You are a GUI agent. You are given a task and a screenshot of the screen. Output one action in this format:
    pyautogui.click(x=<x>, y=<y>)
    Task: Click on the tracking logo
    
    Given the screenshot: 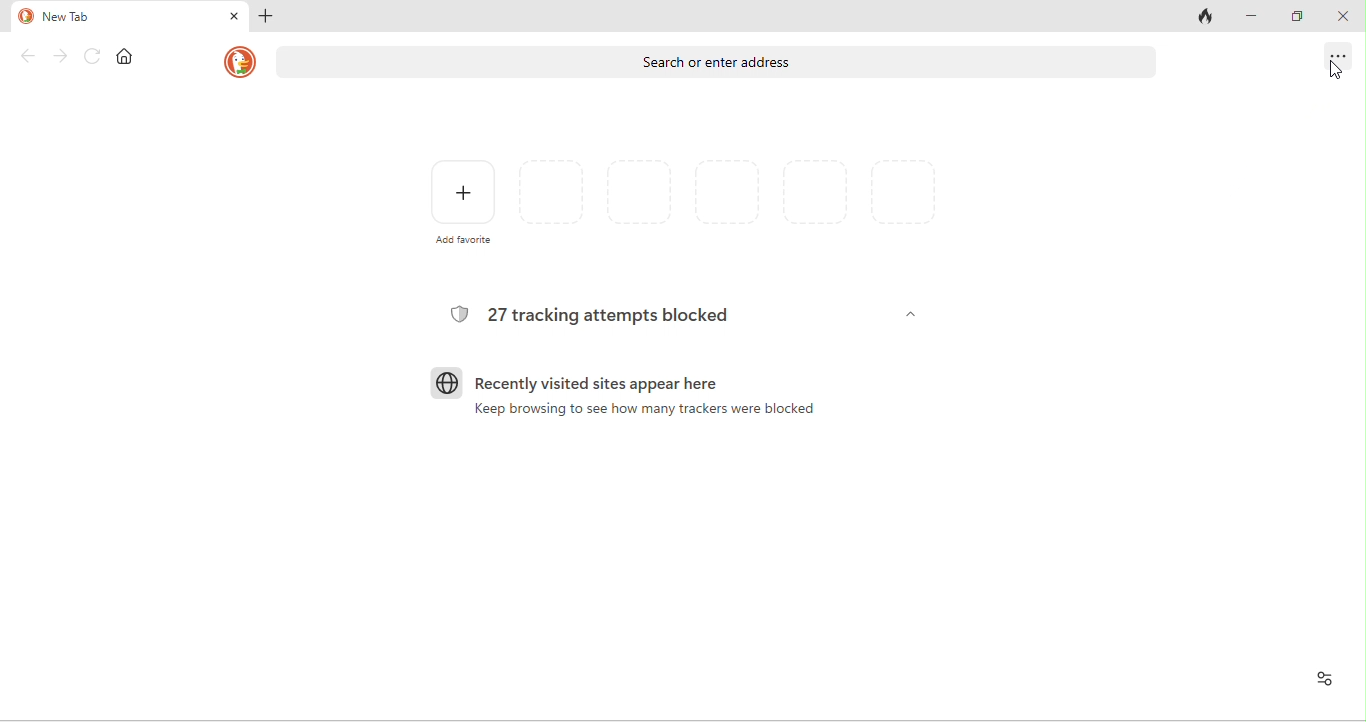 What is the action you would take?
    pyautogui.click(x=457, y=313)
    